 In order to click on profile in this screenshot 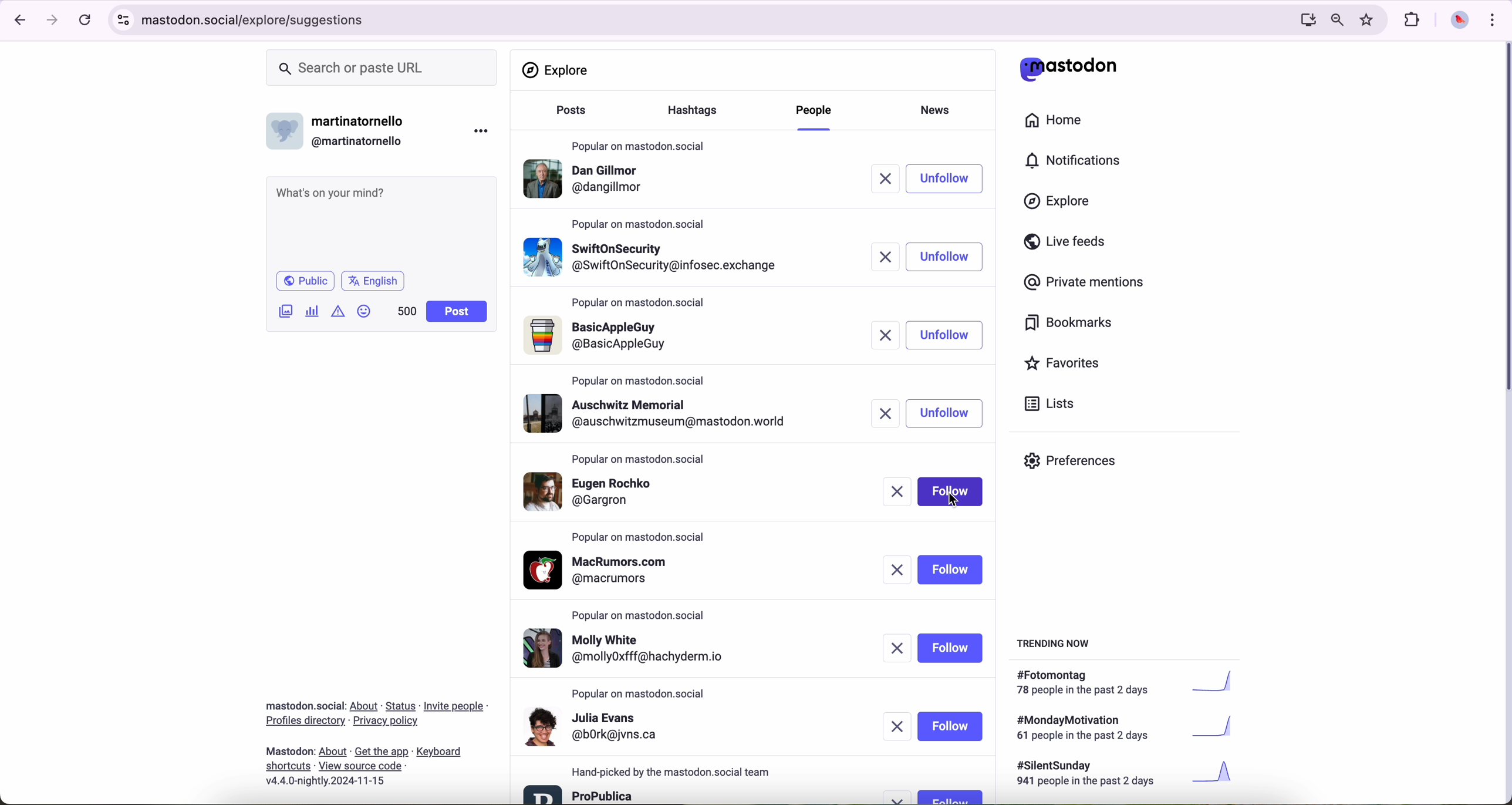, I will do `click(662, 413)`.